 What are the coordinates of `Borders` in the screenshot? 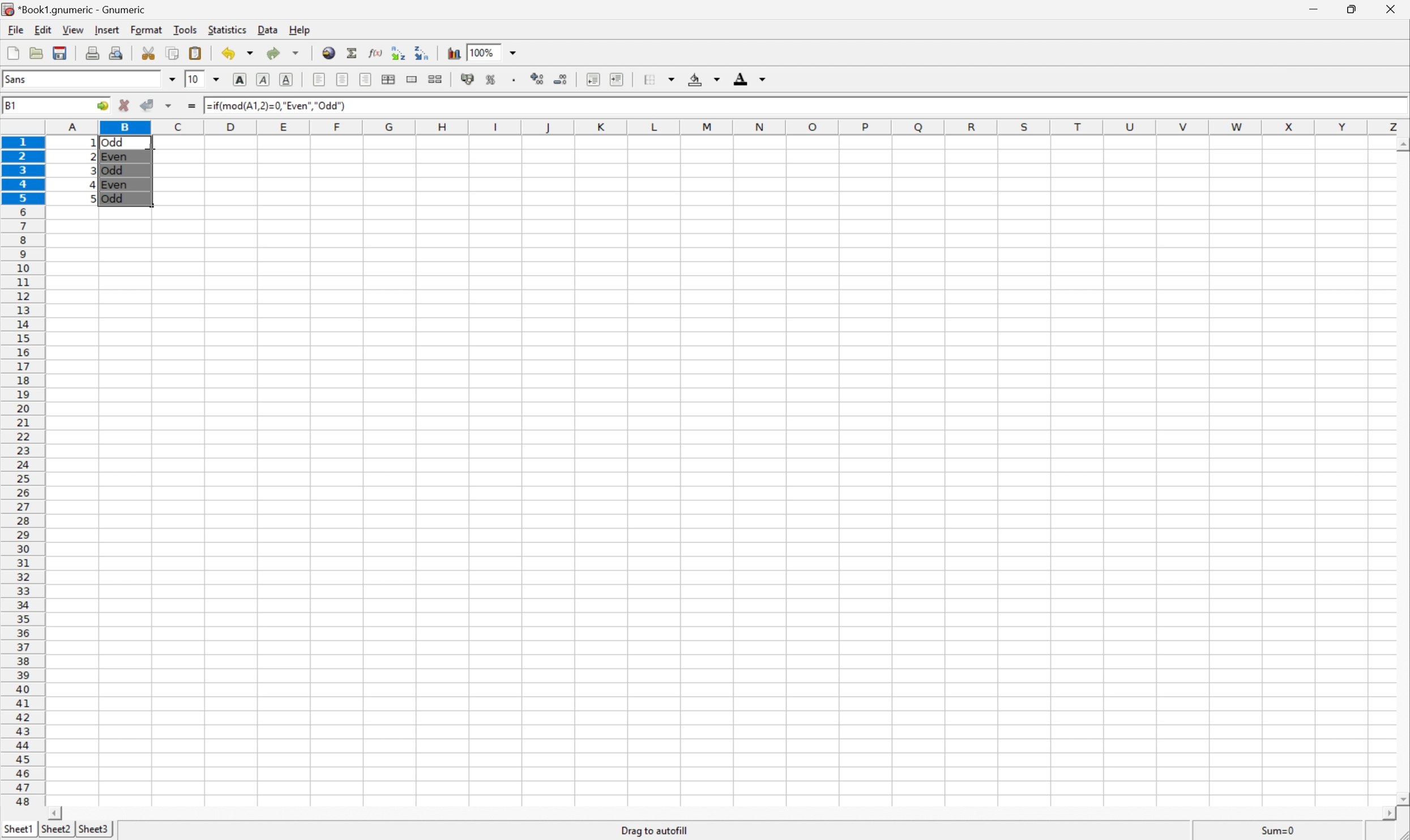 It's located at (657, 78).